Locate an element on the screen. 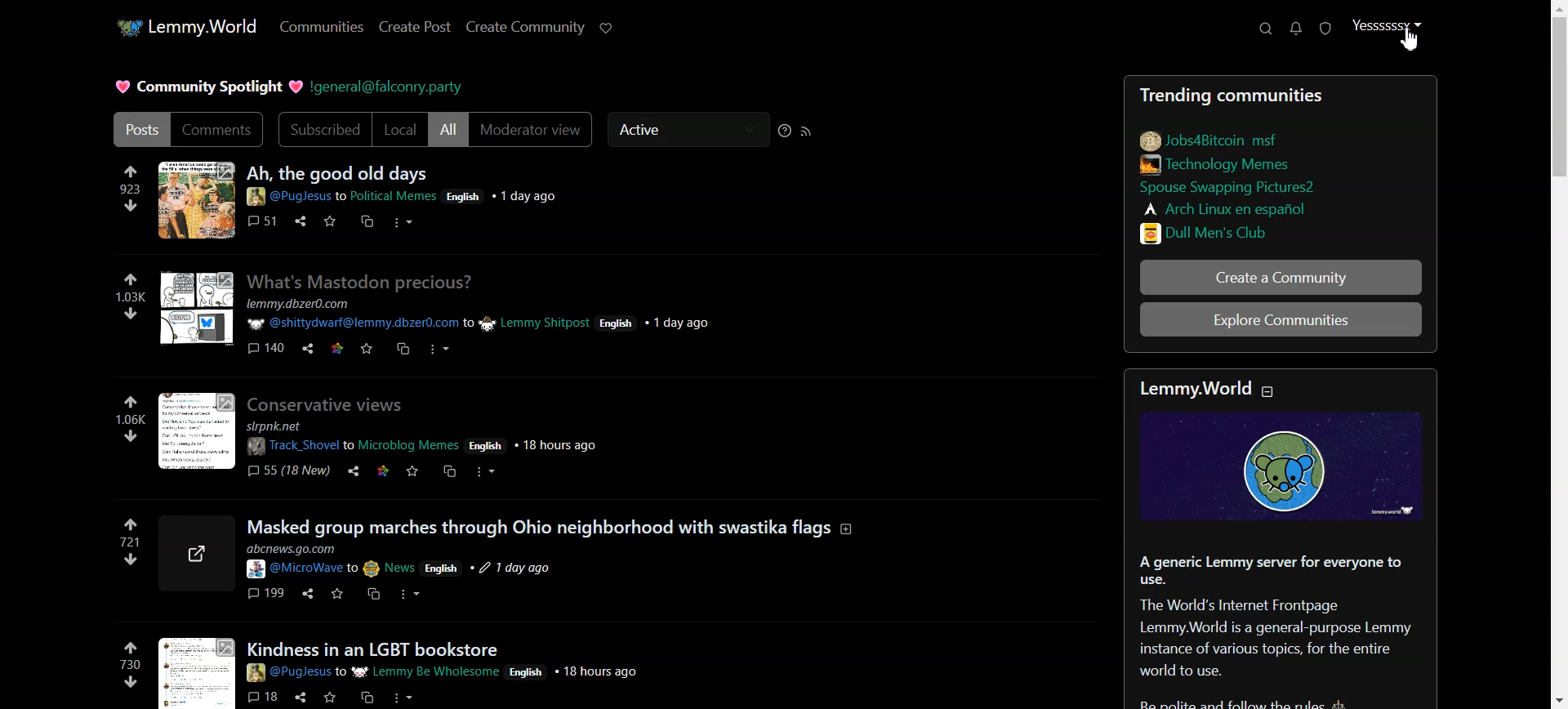 The height and width of the screenshot is (709, 1568). Moderator View is located at coordinates (532, 132).